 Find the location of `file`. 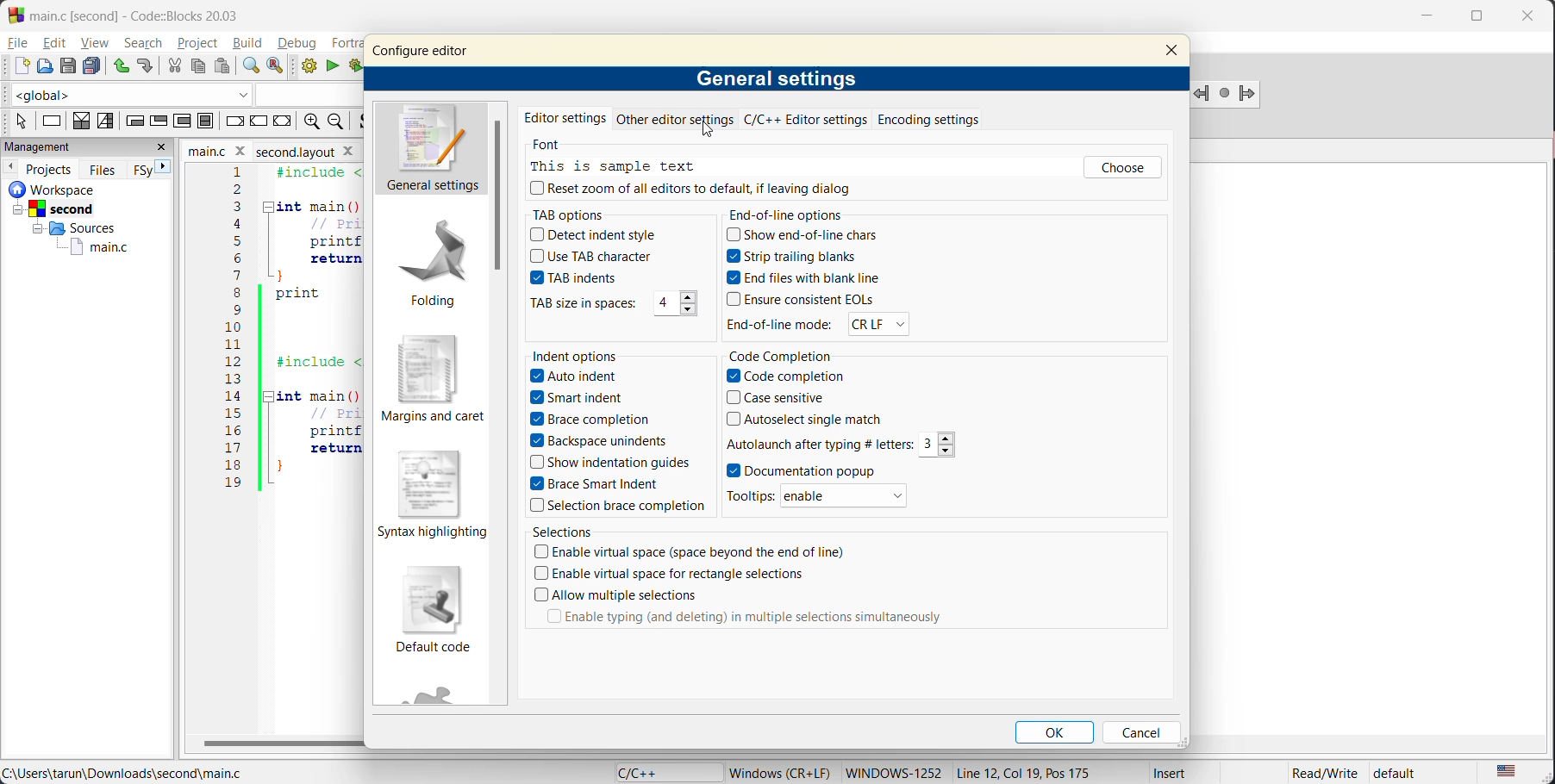

file is located at coordinates (20, 44).